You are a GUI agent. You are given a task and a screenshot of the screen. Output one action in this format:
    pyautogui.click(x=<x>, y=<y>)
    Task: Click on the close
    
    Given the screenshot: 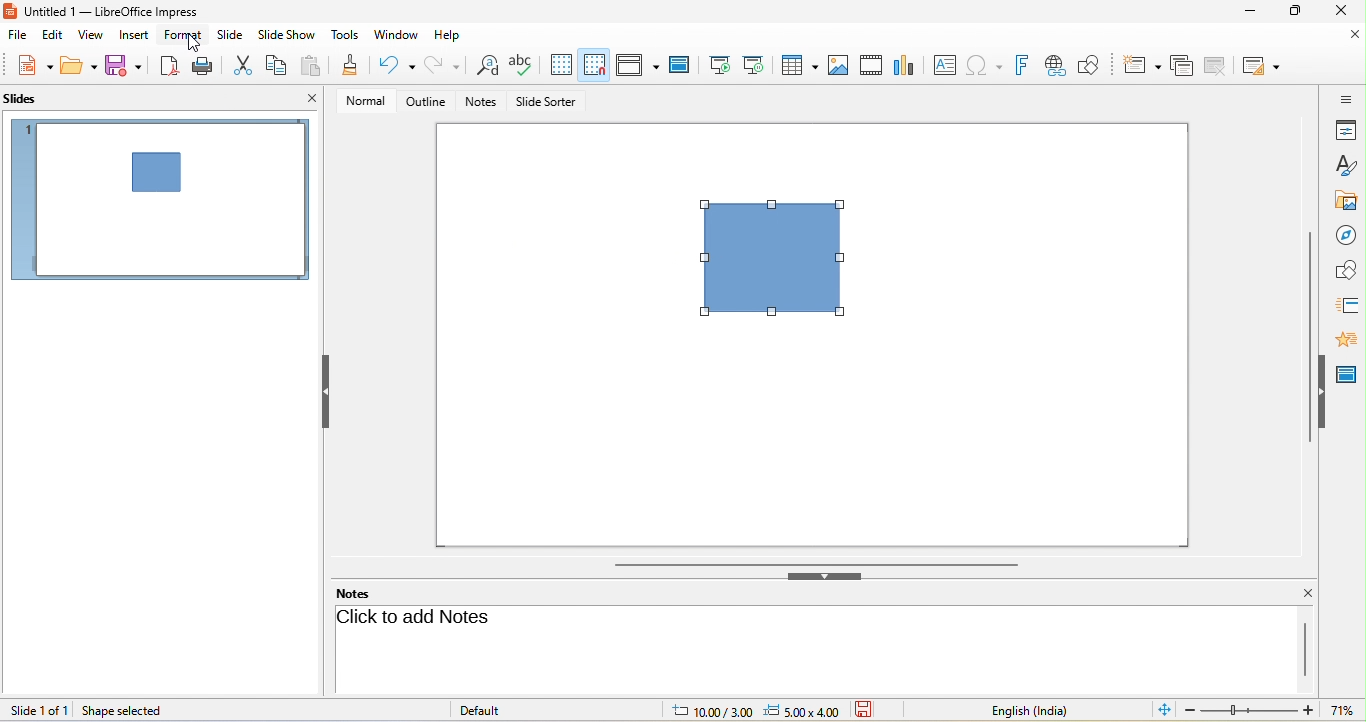 What is the action you would take?
    pyautogui.click(x=1355, y=37)
    